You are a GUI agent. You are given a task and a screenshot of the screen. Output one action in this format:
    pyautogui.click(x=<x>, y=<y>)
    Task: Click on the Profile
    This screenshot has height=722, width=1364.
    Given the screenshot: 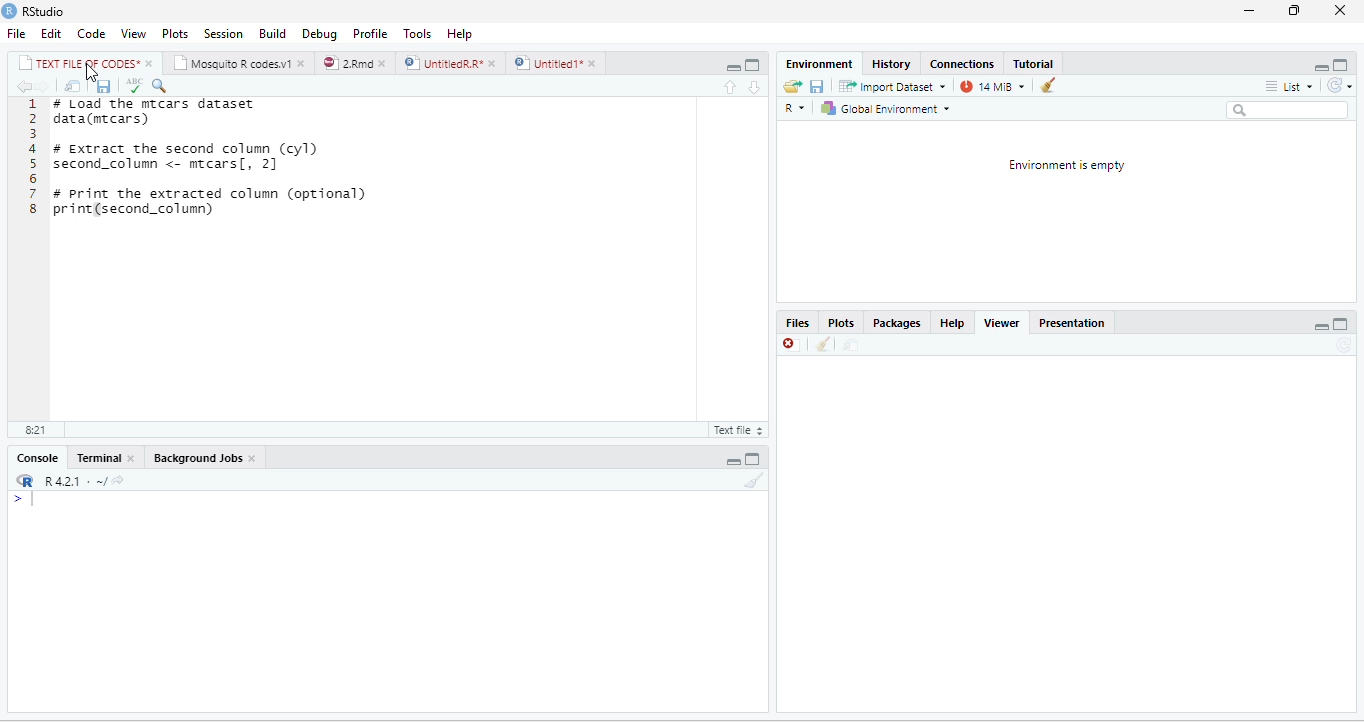 What is the action you would take?
    pyautogui.click(x=371, y=32)
    